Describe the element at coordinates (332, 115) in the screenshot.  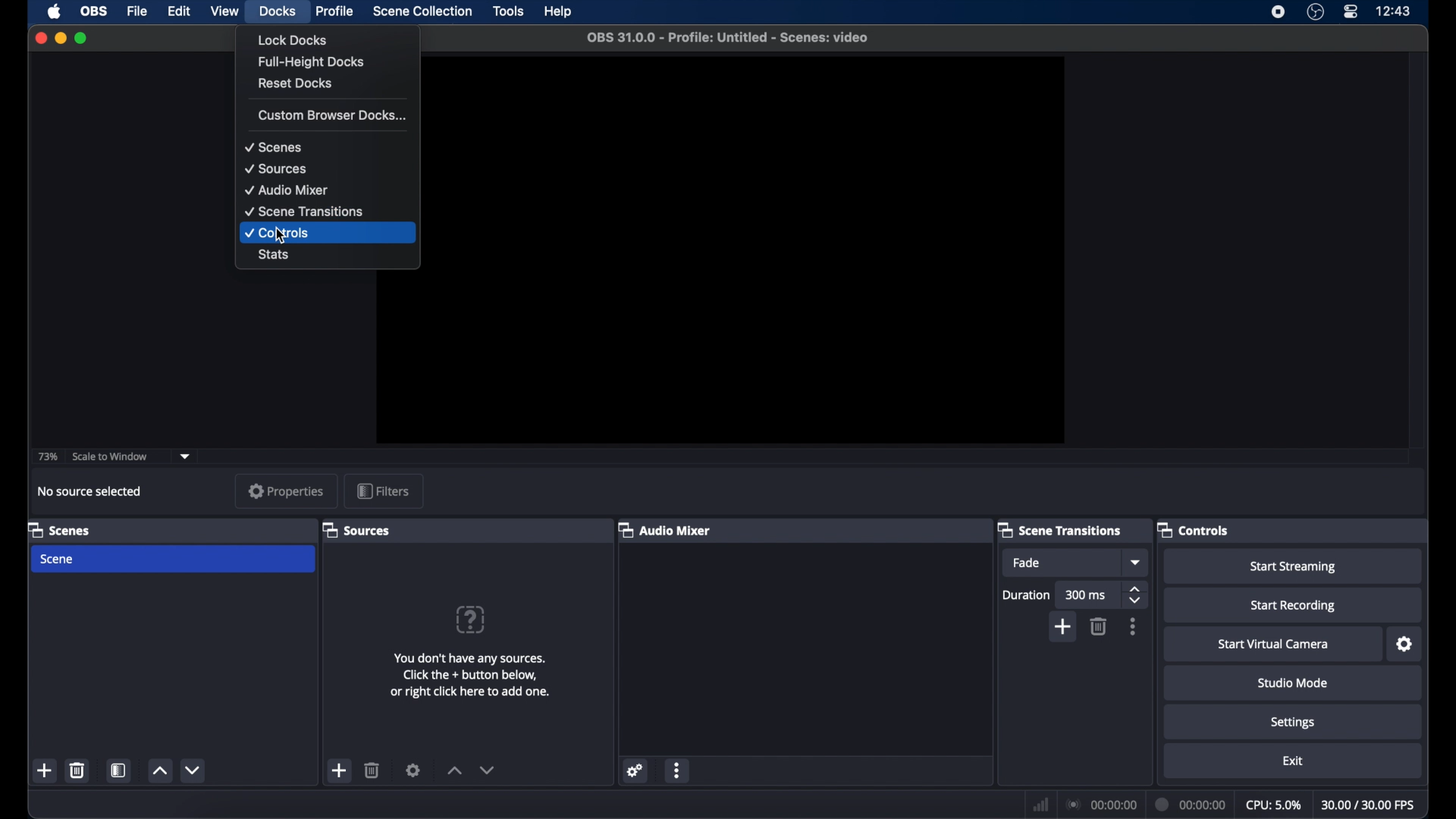
I see `custom browser docks` at that location.